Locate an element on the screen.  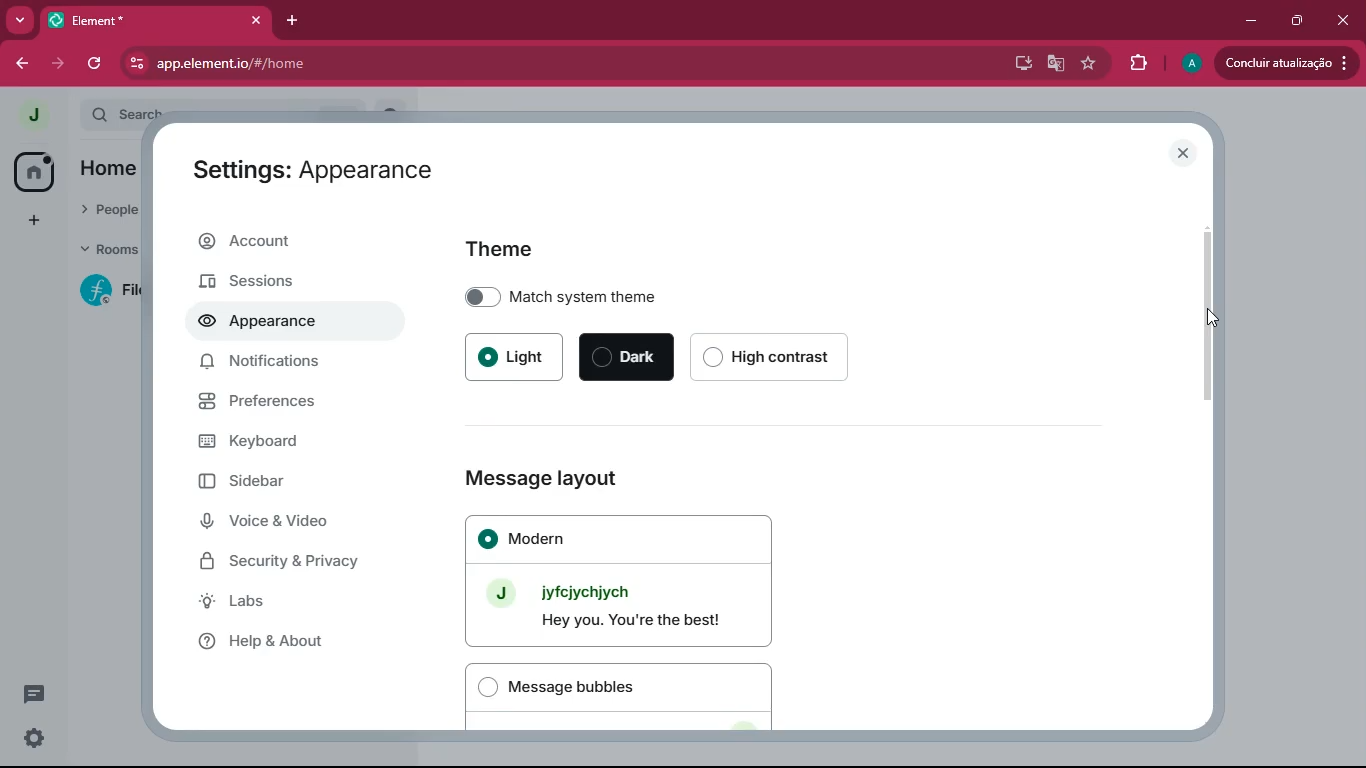
keyboard is located at coordinates (289, 440).